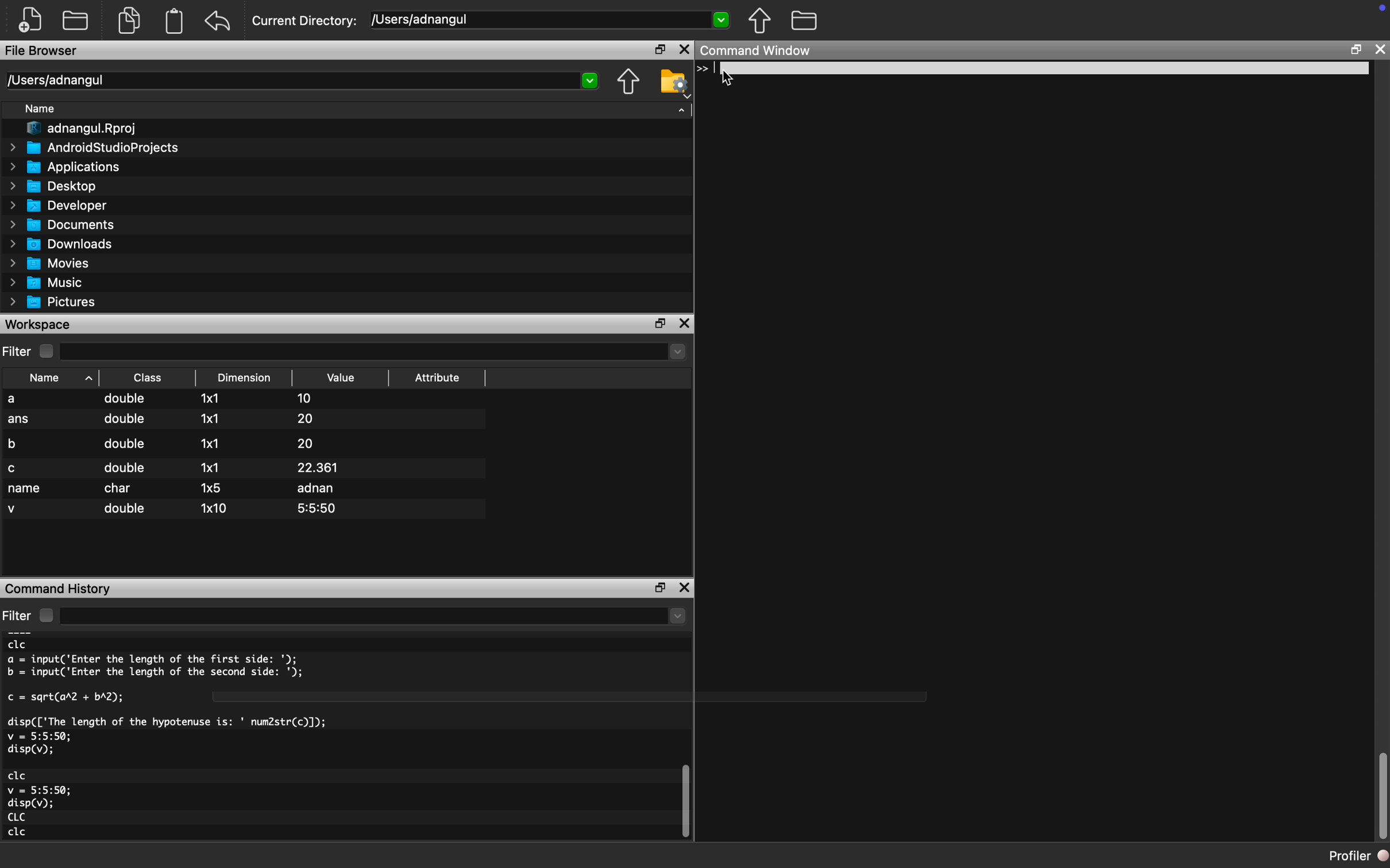 This screenshot has width=1390, height=868. Describe the element at coordinates (686, 584) in the screenshot. I see `Close` at that location.